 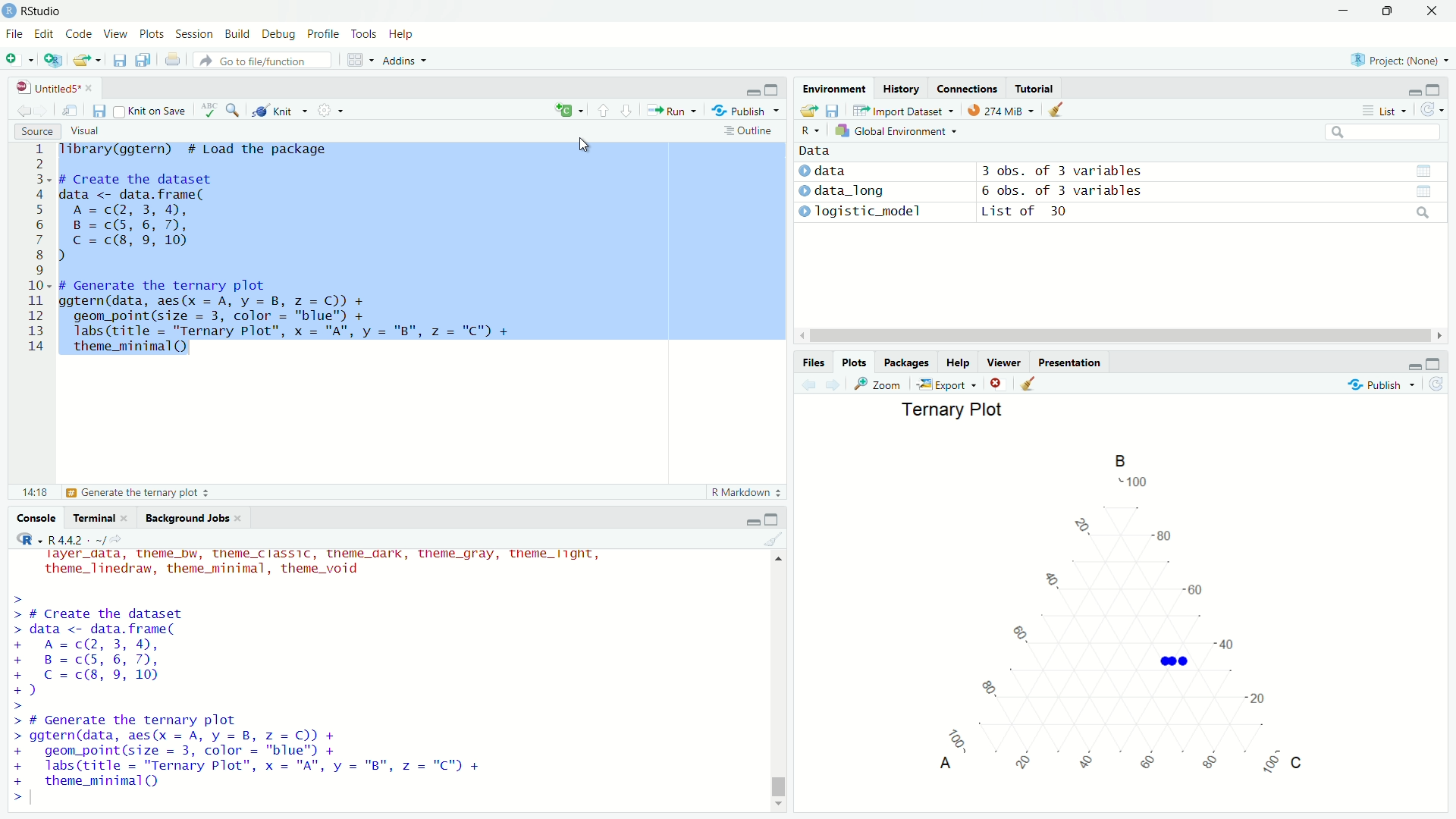 What do you see at coordinates (676, 111) in the screenshot?
I see `“+ Run` at bounding box center [676, 111].